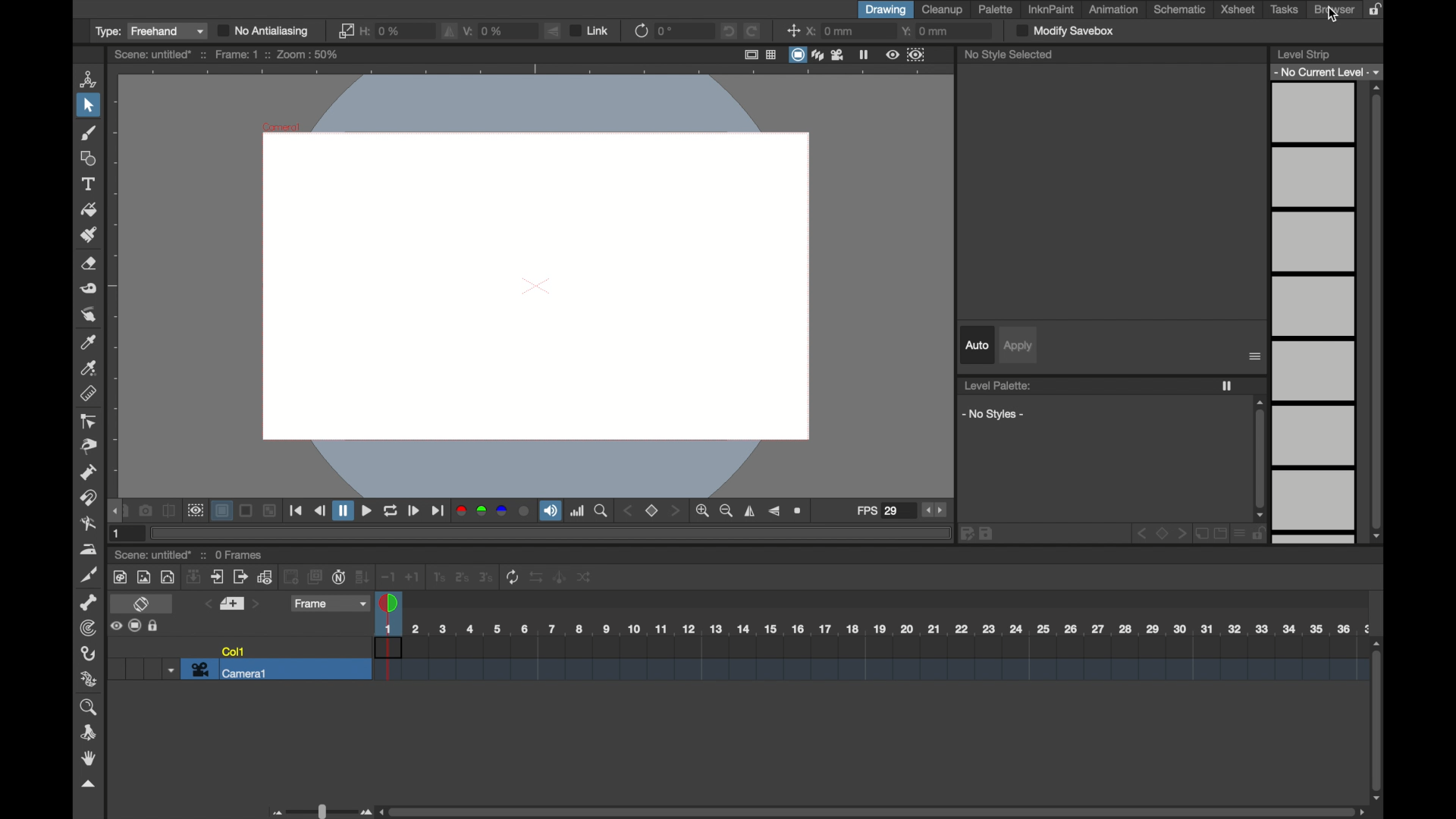  Describe the element at coordinates (389, 604) in the screenshot. I see `playhead` at that location.